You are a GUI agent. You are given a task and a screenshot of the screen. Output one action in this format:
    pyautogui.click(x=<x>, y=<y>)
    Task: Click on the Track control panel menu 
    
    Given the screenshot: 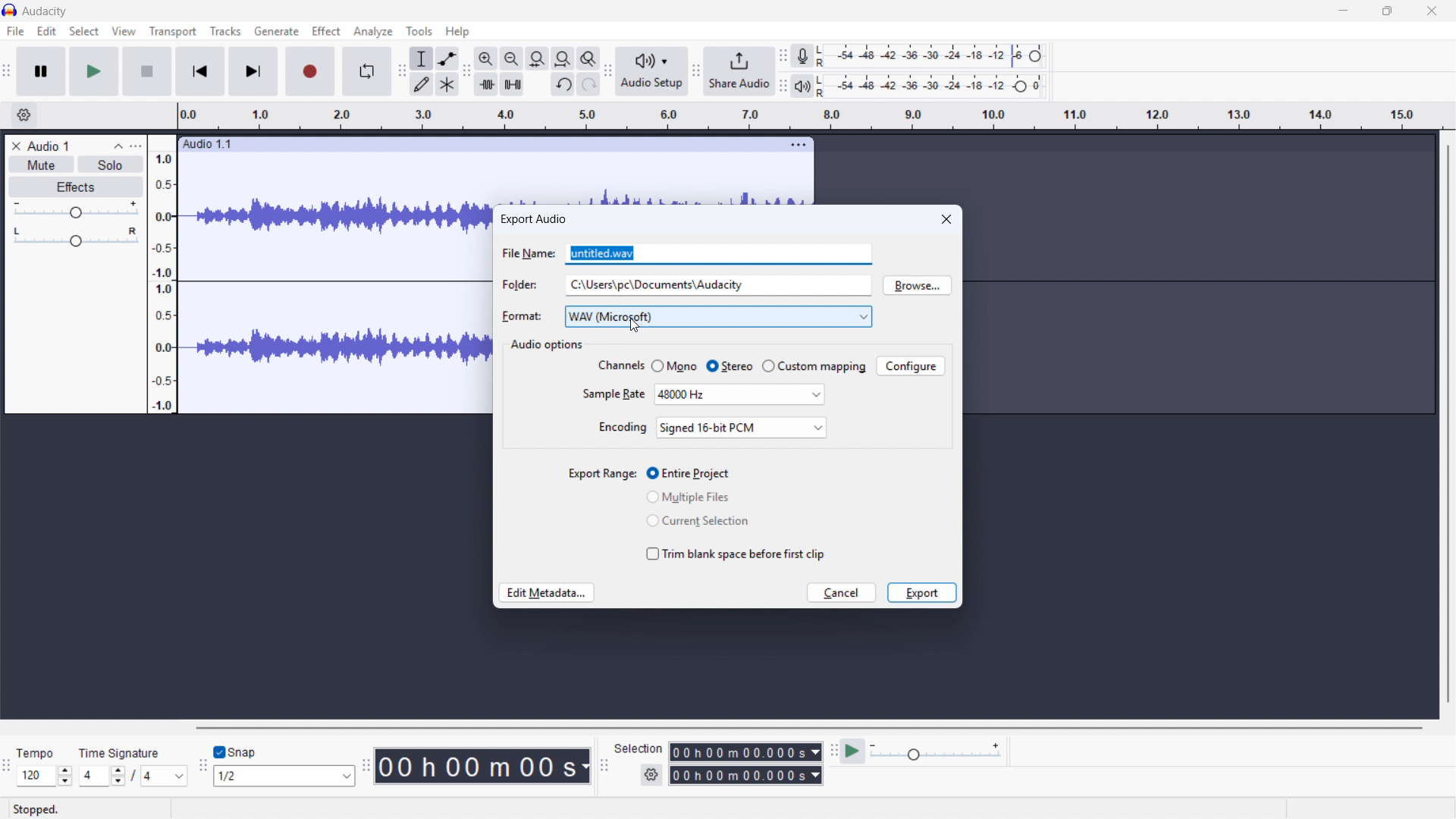 What is the action you would take?
    pyautogui.click(x=136, y=146)
    